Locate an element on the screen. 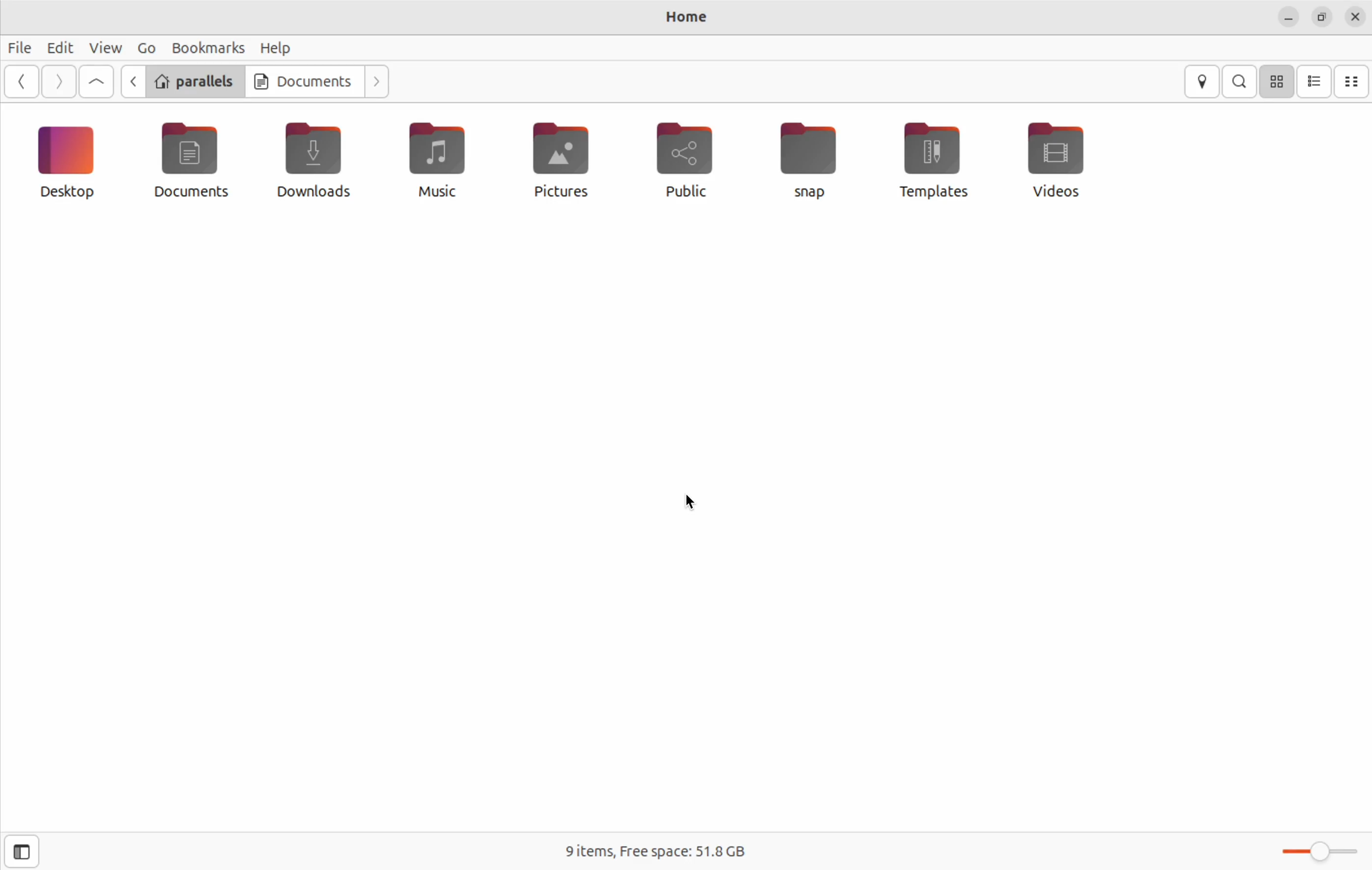 Image resolution: width=1372 pixels, height=870 pixels. openside bar is located at coordinates (20, 852).